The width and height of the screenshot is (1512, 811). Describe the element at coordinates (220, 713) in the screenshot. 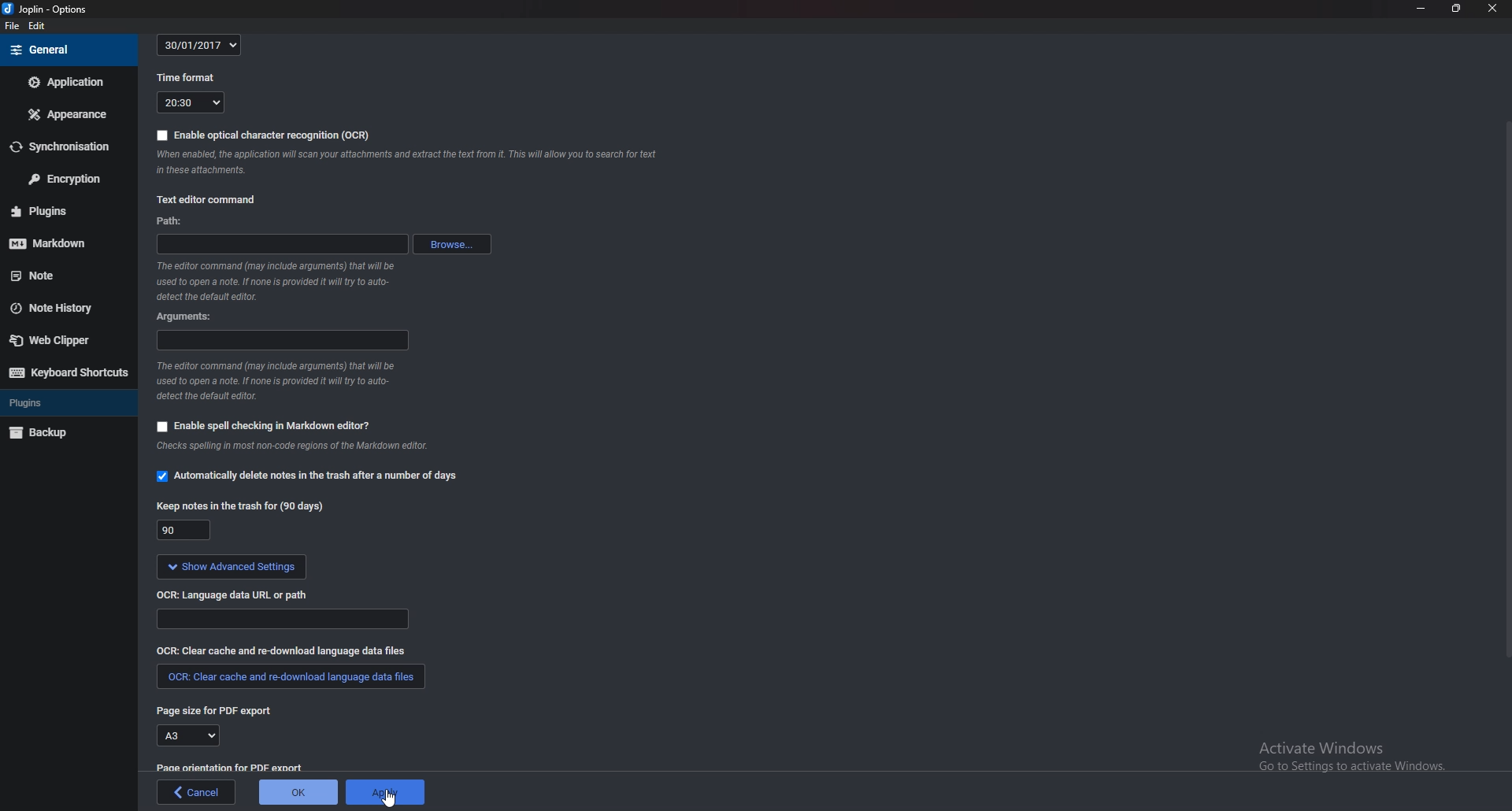

I see `page size for P D F export` at that location.